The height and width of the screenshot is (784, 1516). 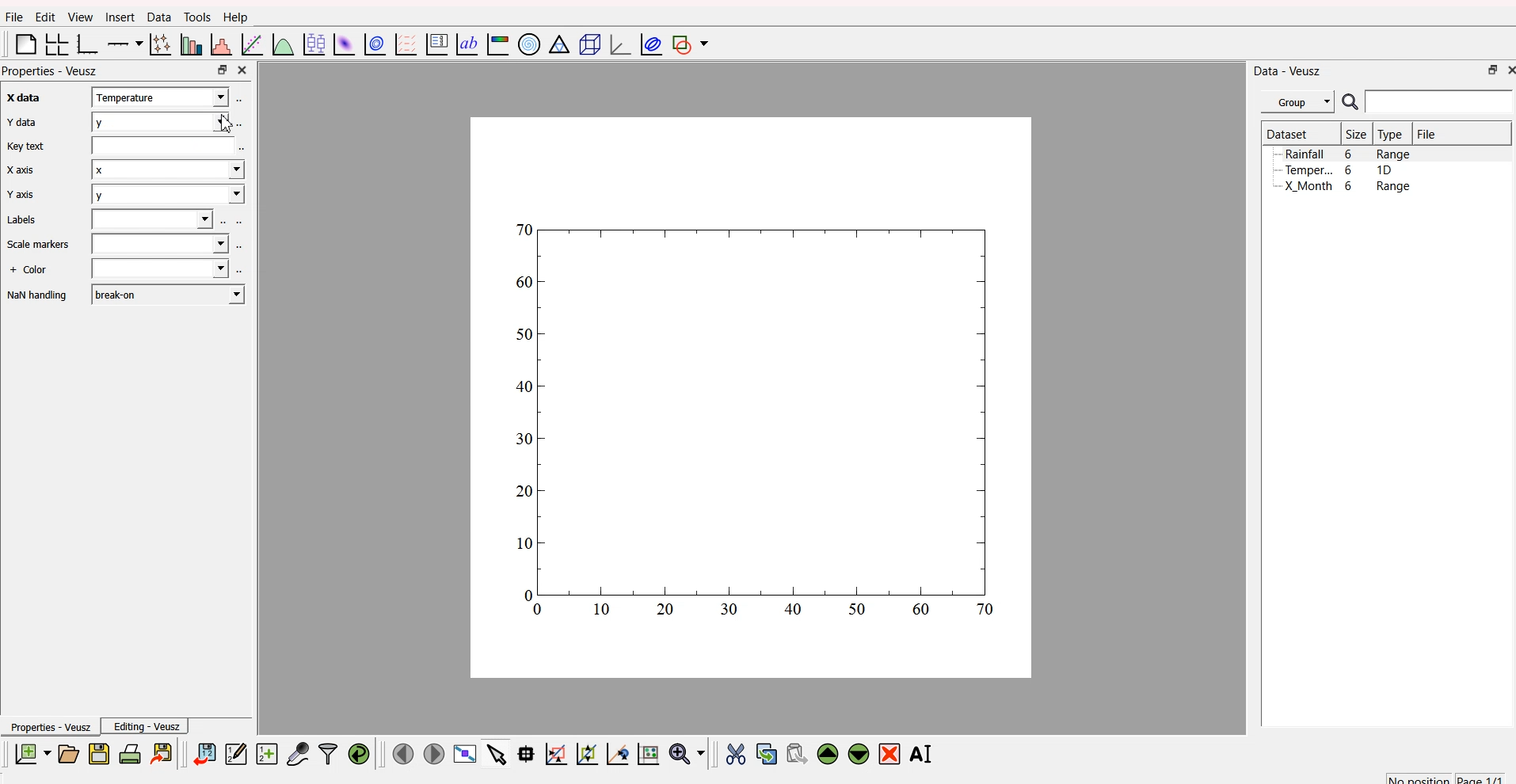 I want to click on filter data, so click(x=328, y=752).